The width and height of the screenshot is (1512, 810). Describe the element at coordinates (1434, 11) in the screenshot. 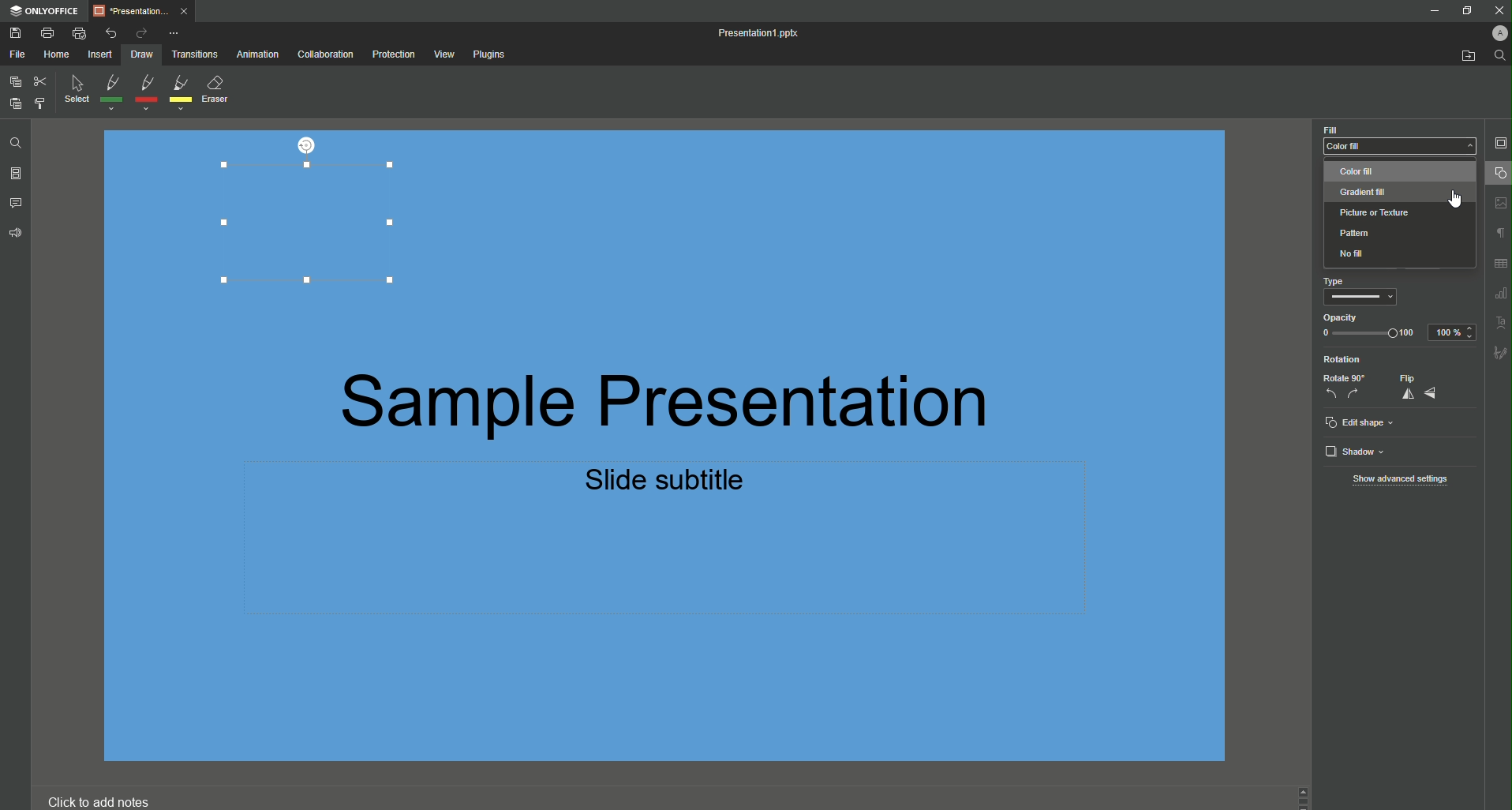

I see `Minimize` at that location.